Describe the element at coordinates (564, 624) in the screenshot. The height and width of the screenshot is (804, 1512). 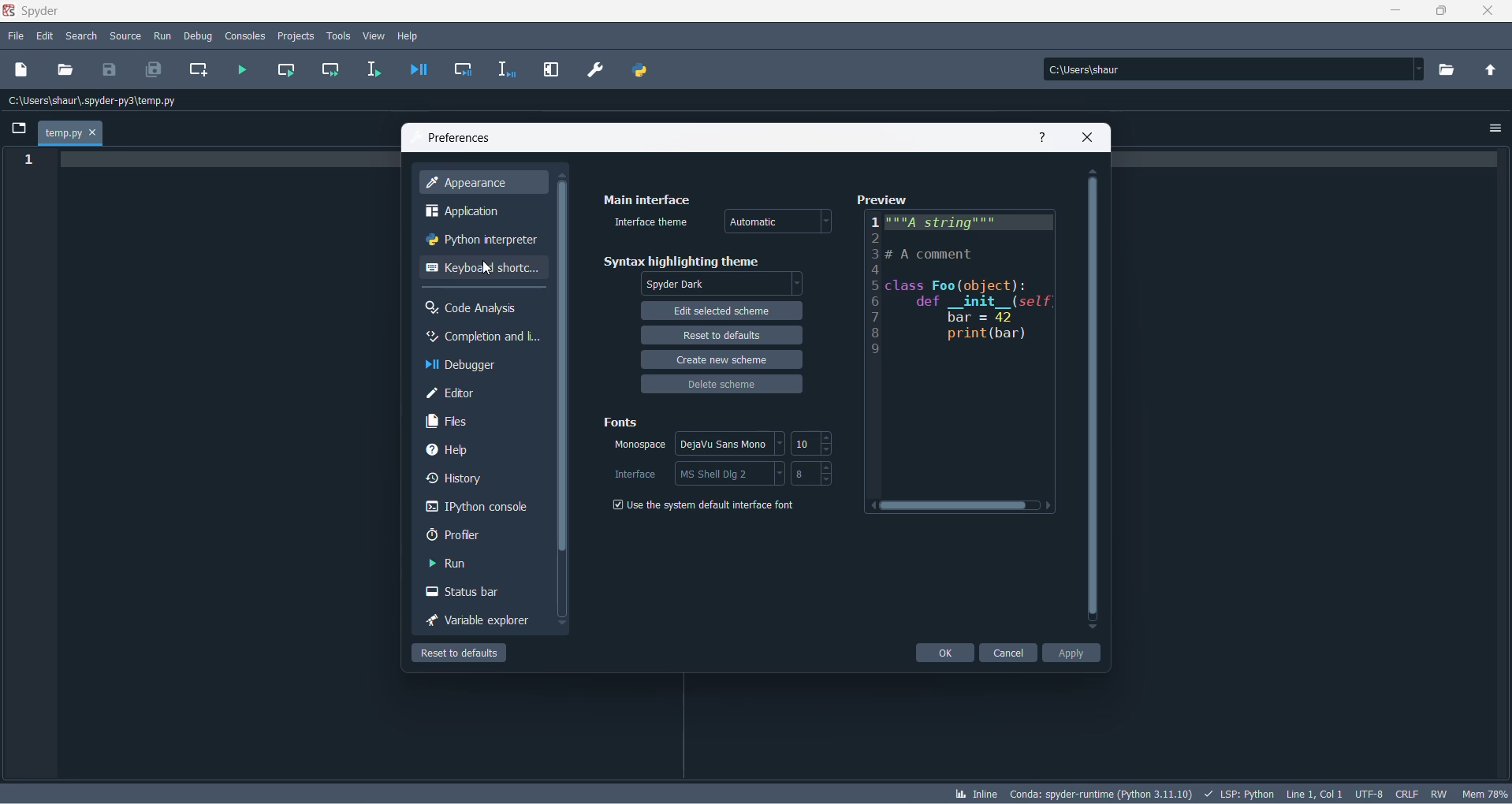
I see `move down` at that location.